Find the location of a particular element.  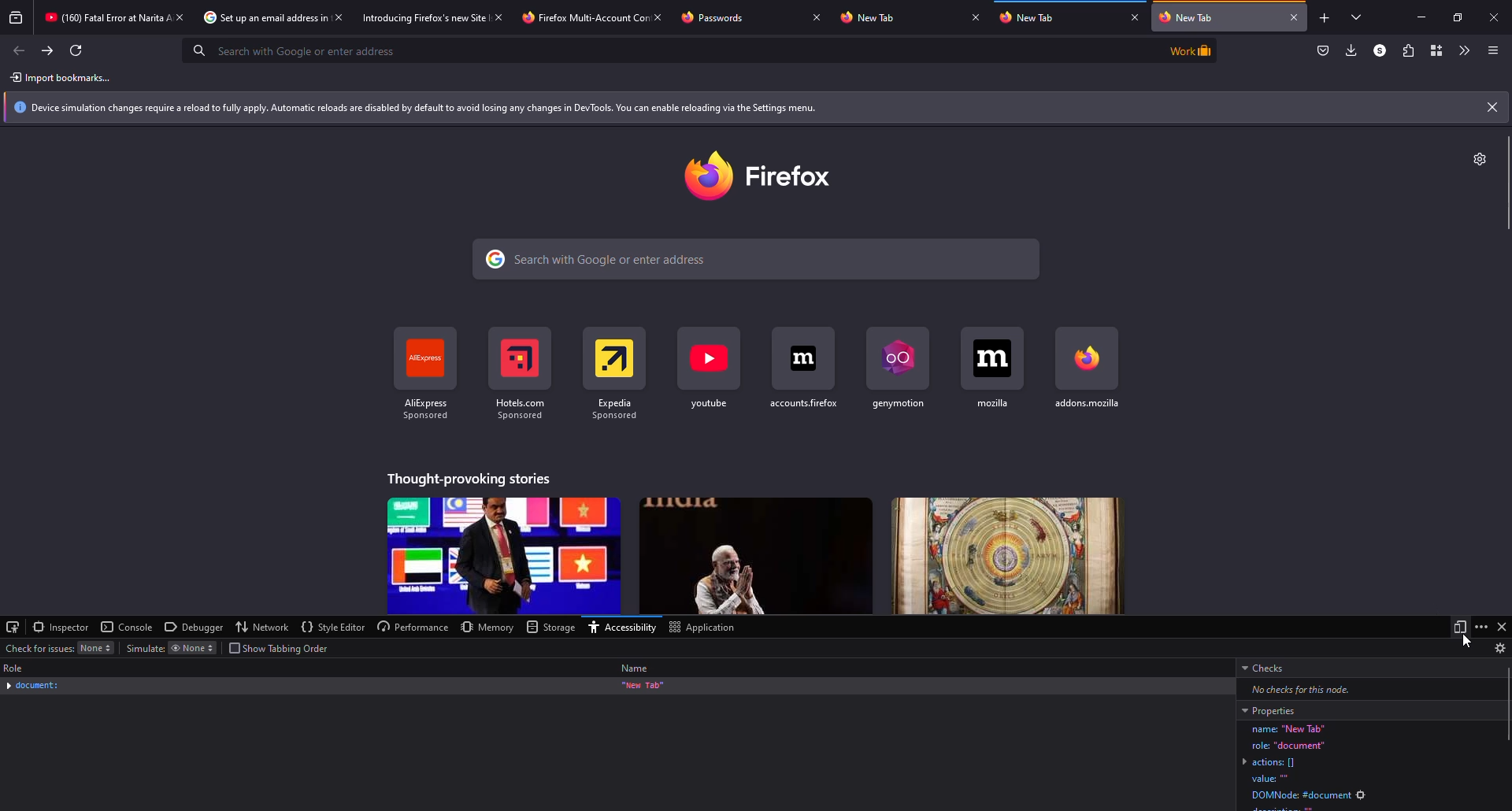

close is located at coordinates (661, 16).